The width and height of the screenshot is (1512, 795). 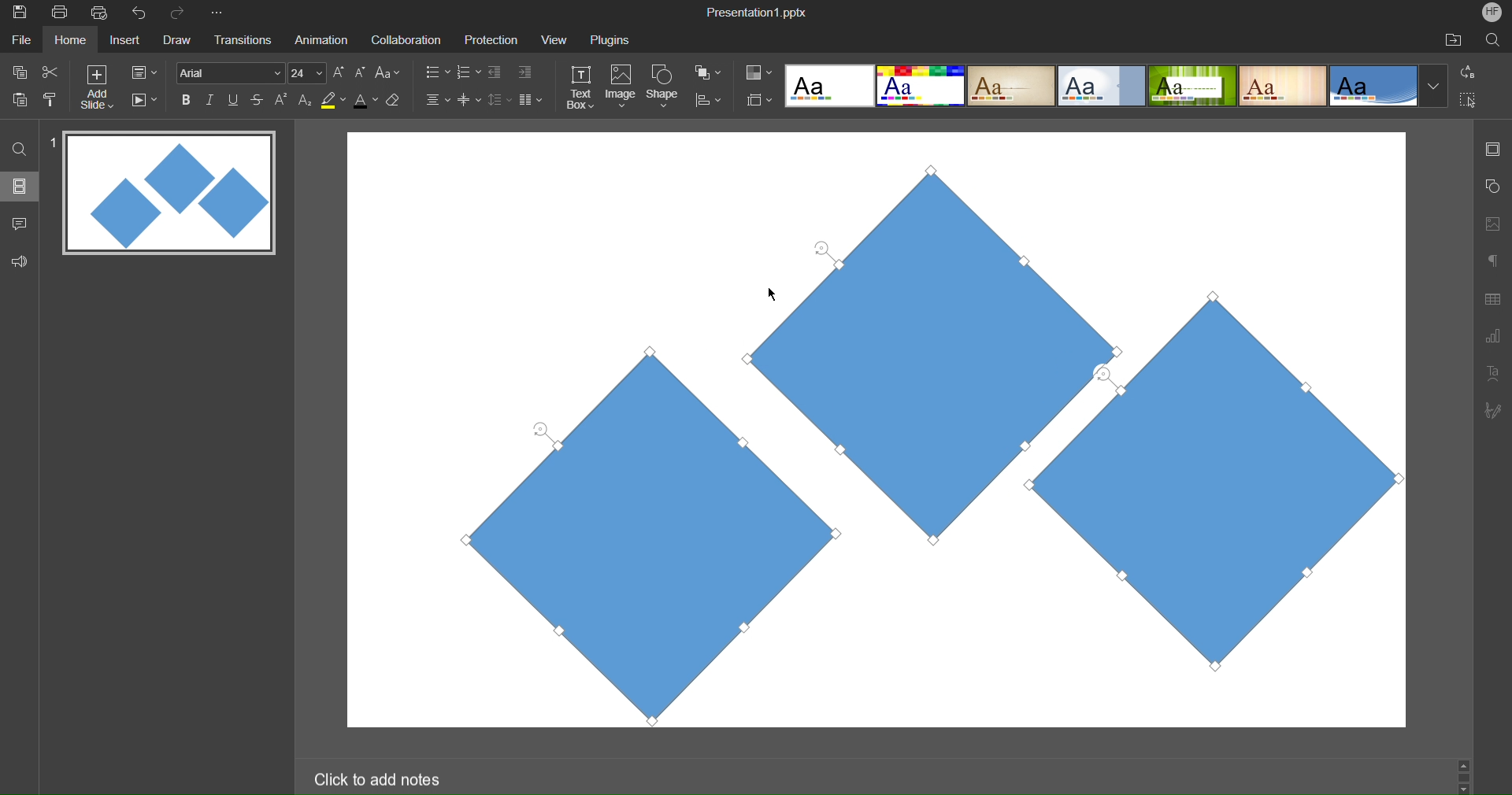 I want to click on Signature, so click(x=1492, y=410).